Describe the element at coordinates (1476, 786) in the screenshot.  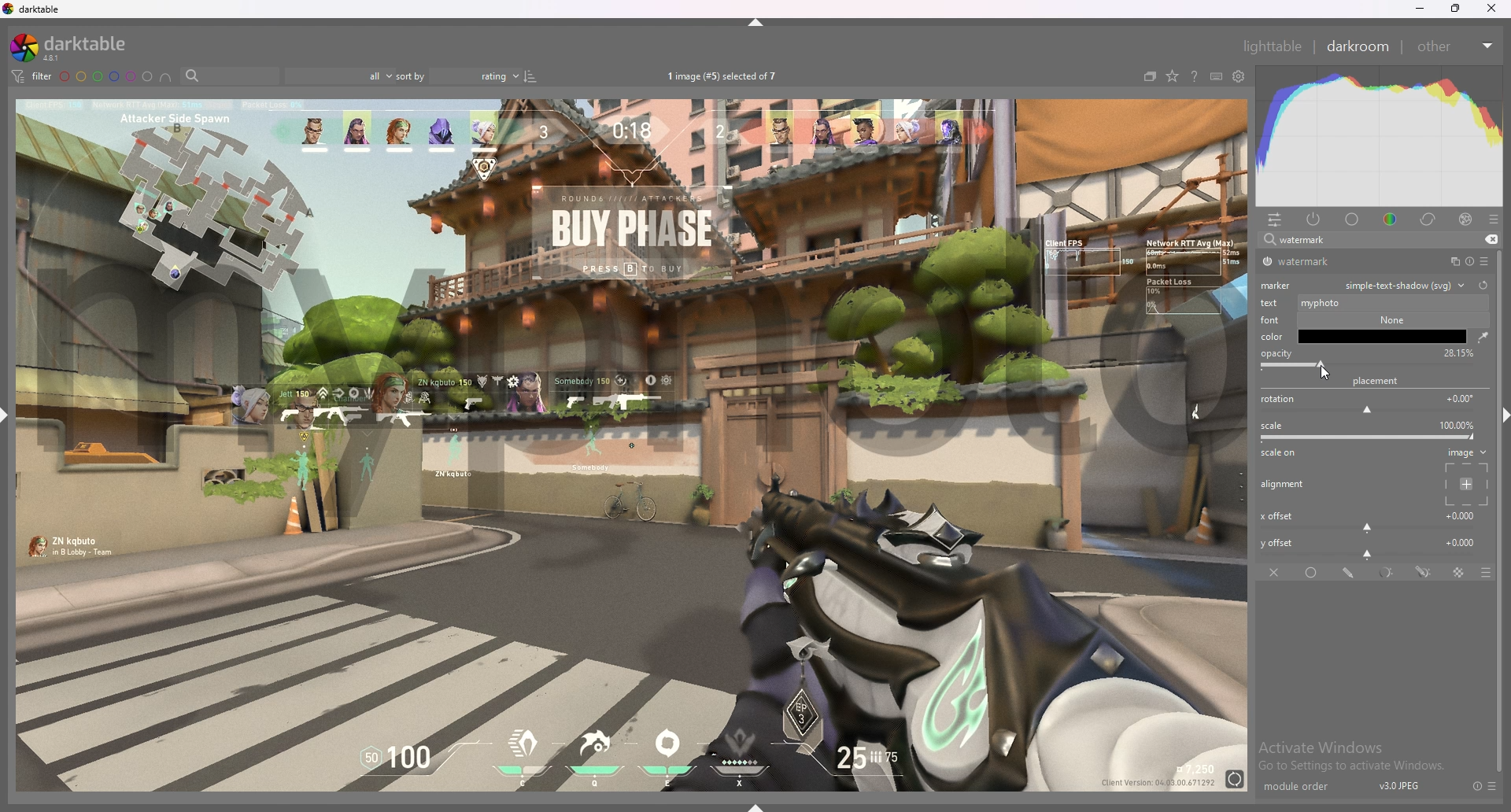
I see `reset` at that location.